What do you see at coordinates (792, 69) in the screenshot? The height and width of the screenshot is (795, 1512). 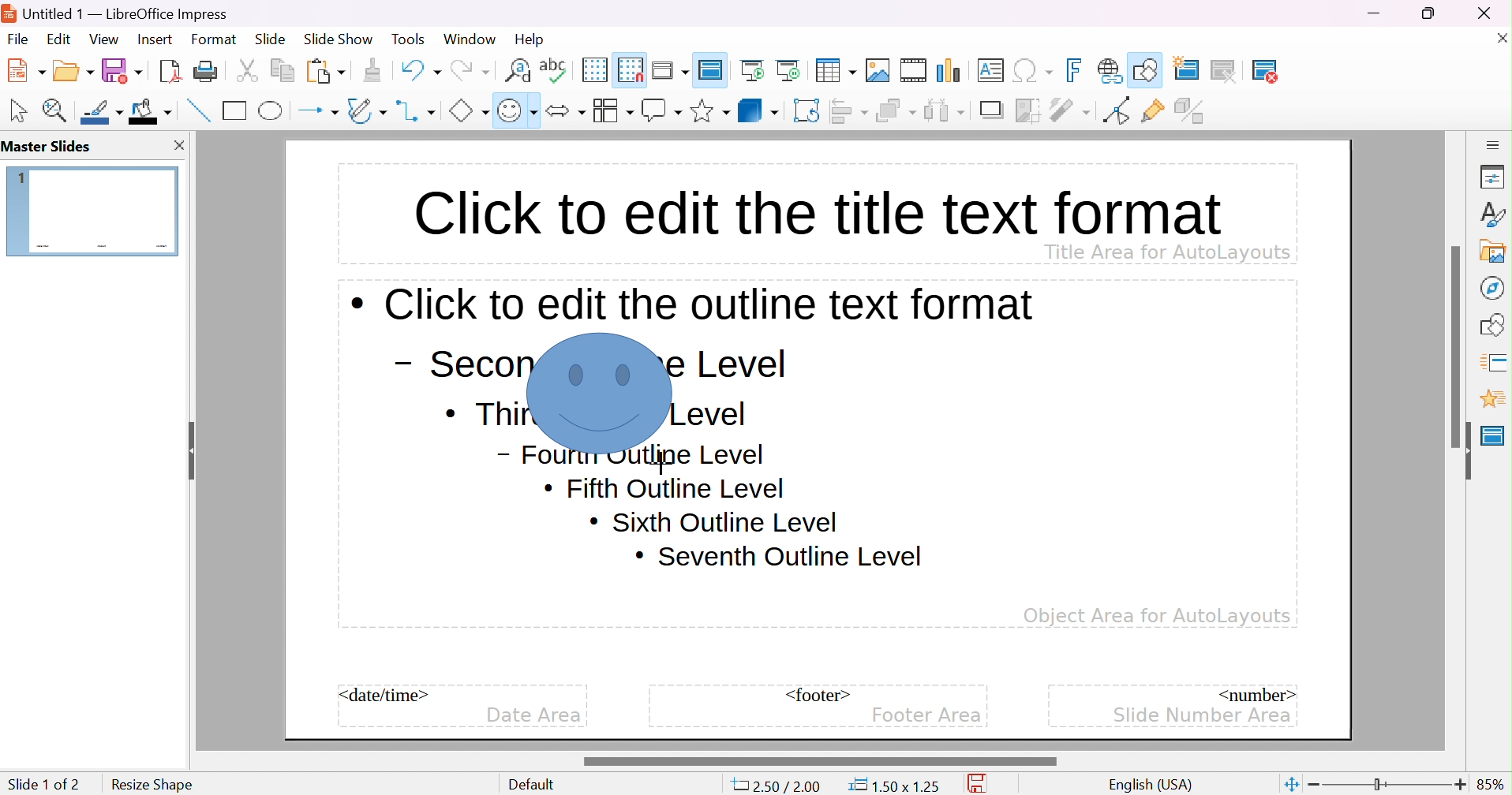 I see `start from current slide` at bounding box center [792, 69].